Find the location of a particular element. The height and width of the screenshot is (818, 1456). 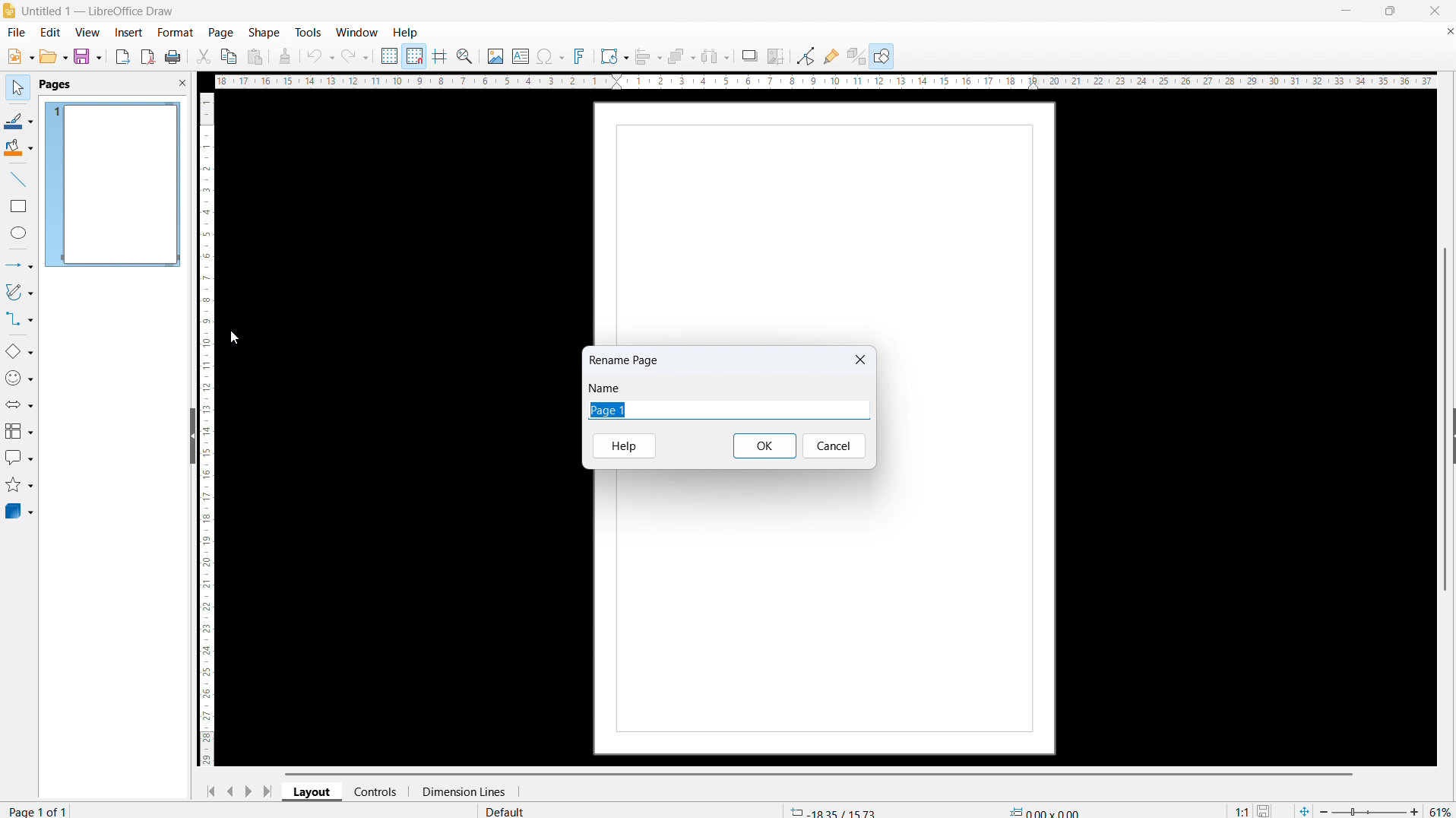

open is located at coordinates (54, 57).